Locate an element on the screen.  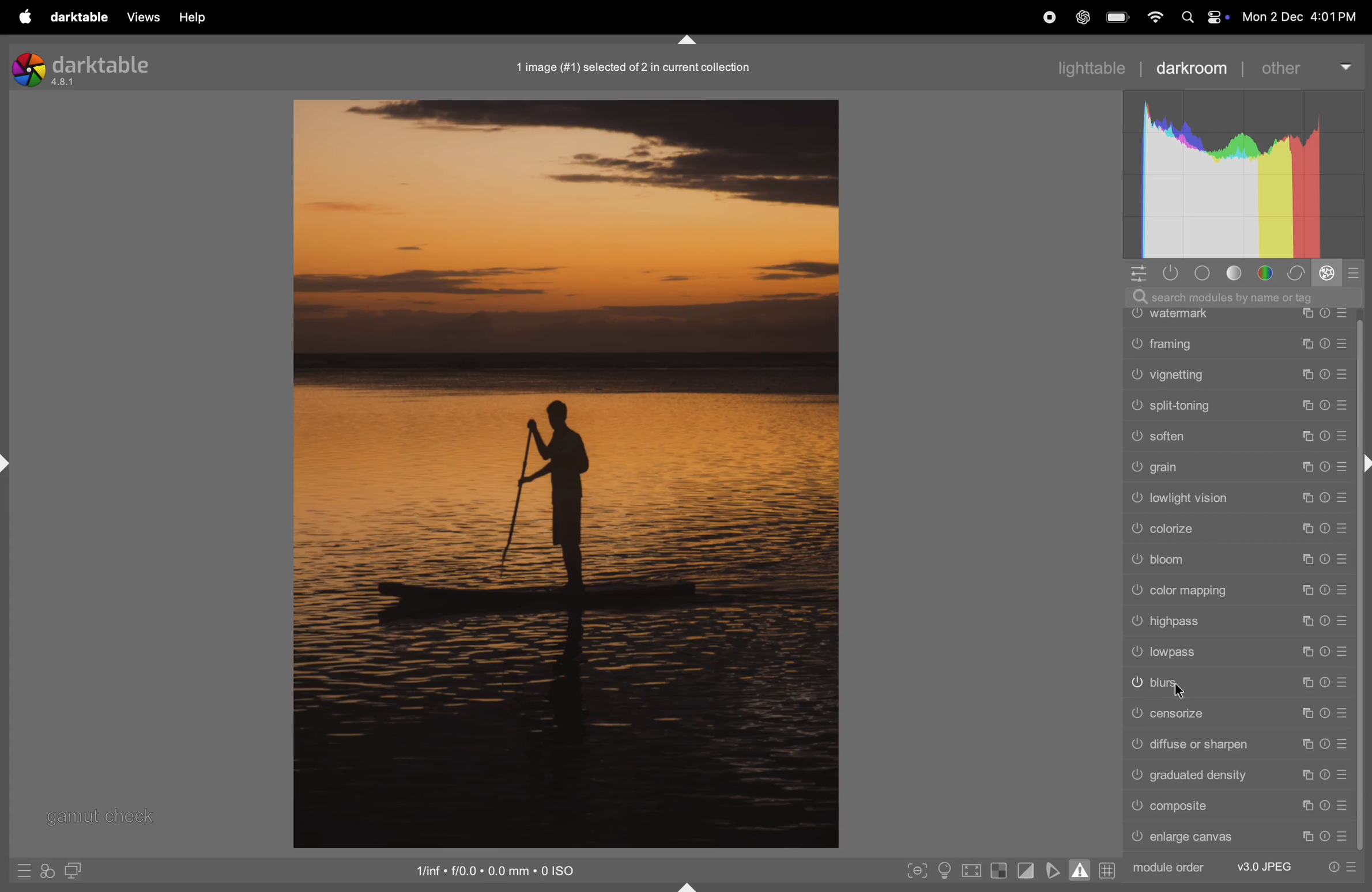
censorize is located at coordinates (1235, 716).